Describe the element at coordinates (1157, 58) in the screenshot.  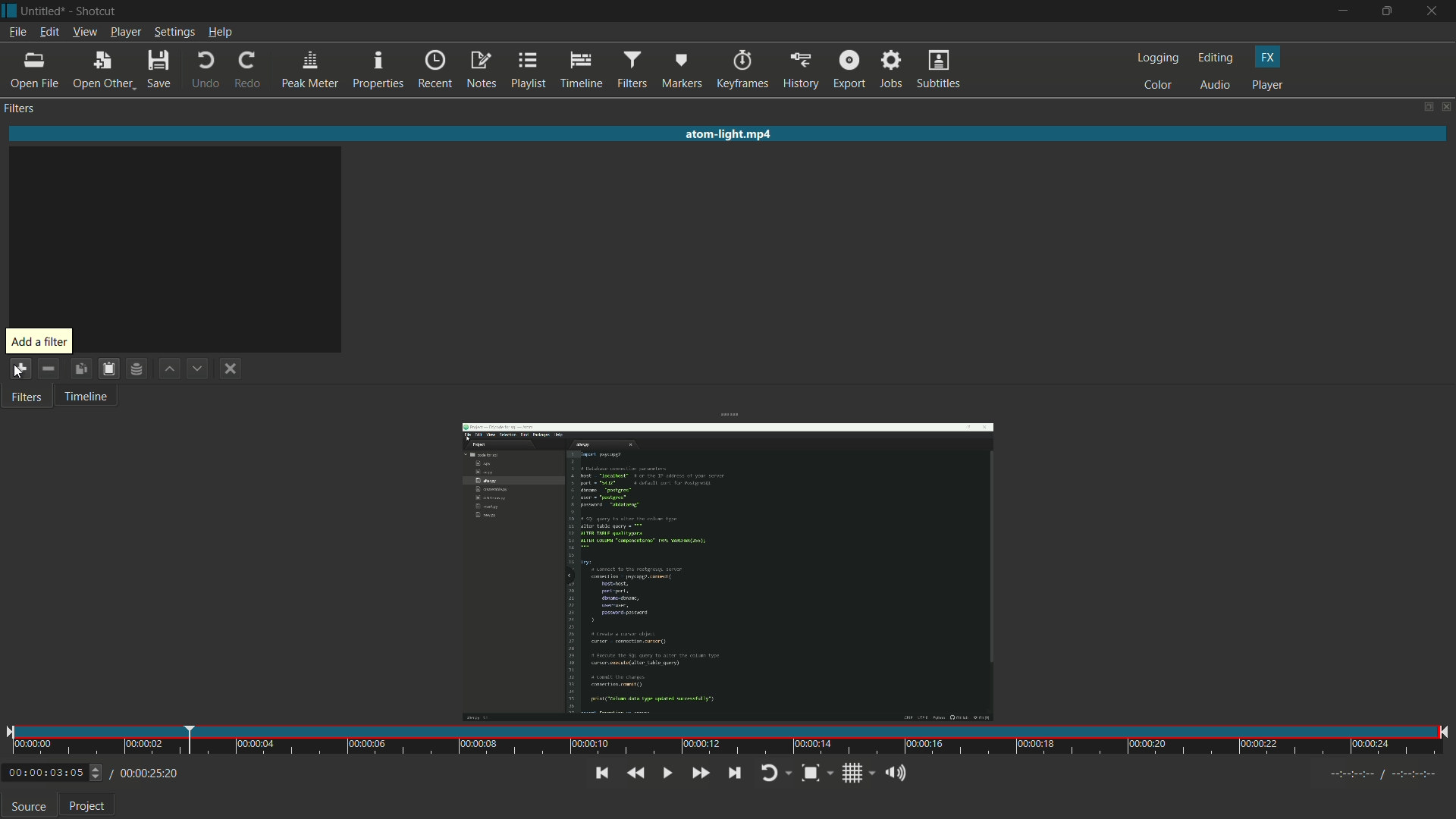
I see `logging` at that location.